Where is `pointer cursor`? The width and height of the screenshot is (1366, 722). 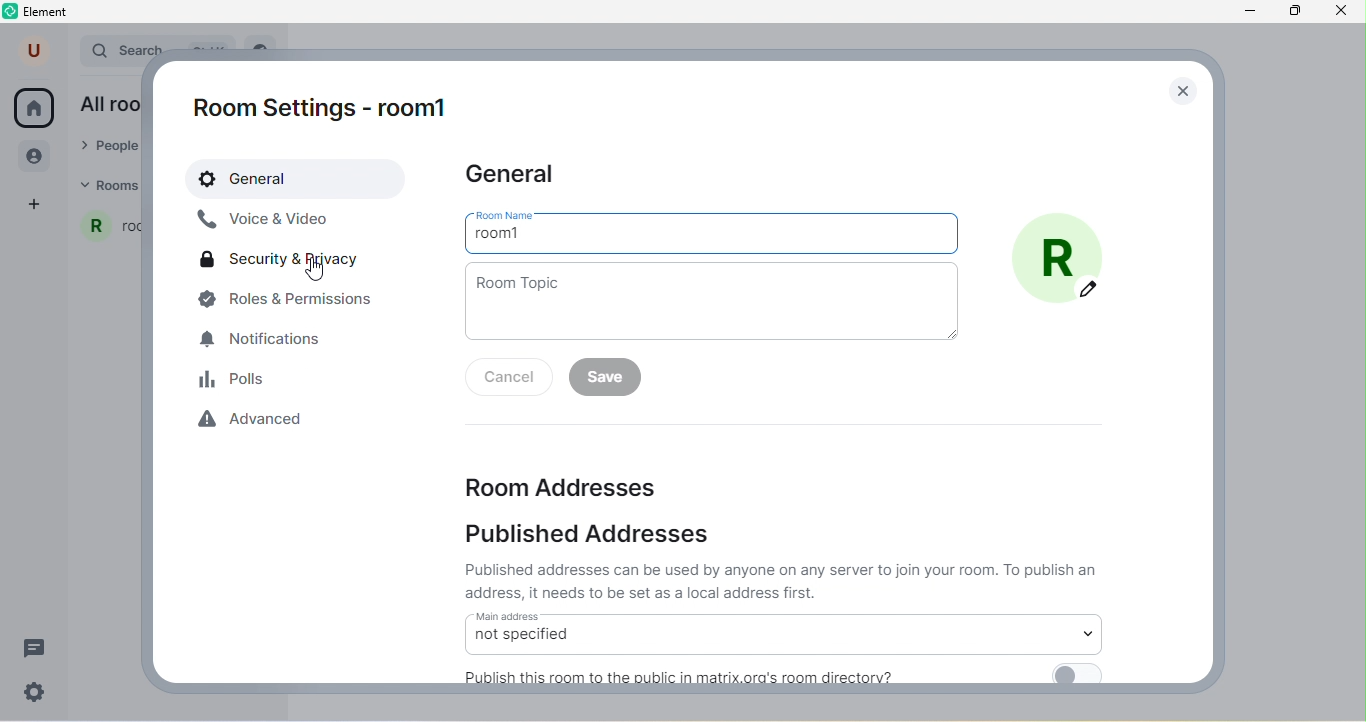 pointer cursor is located at coordinates (317, 272).